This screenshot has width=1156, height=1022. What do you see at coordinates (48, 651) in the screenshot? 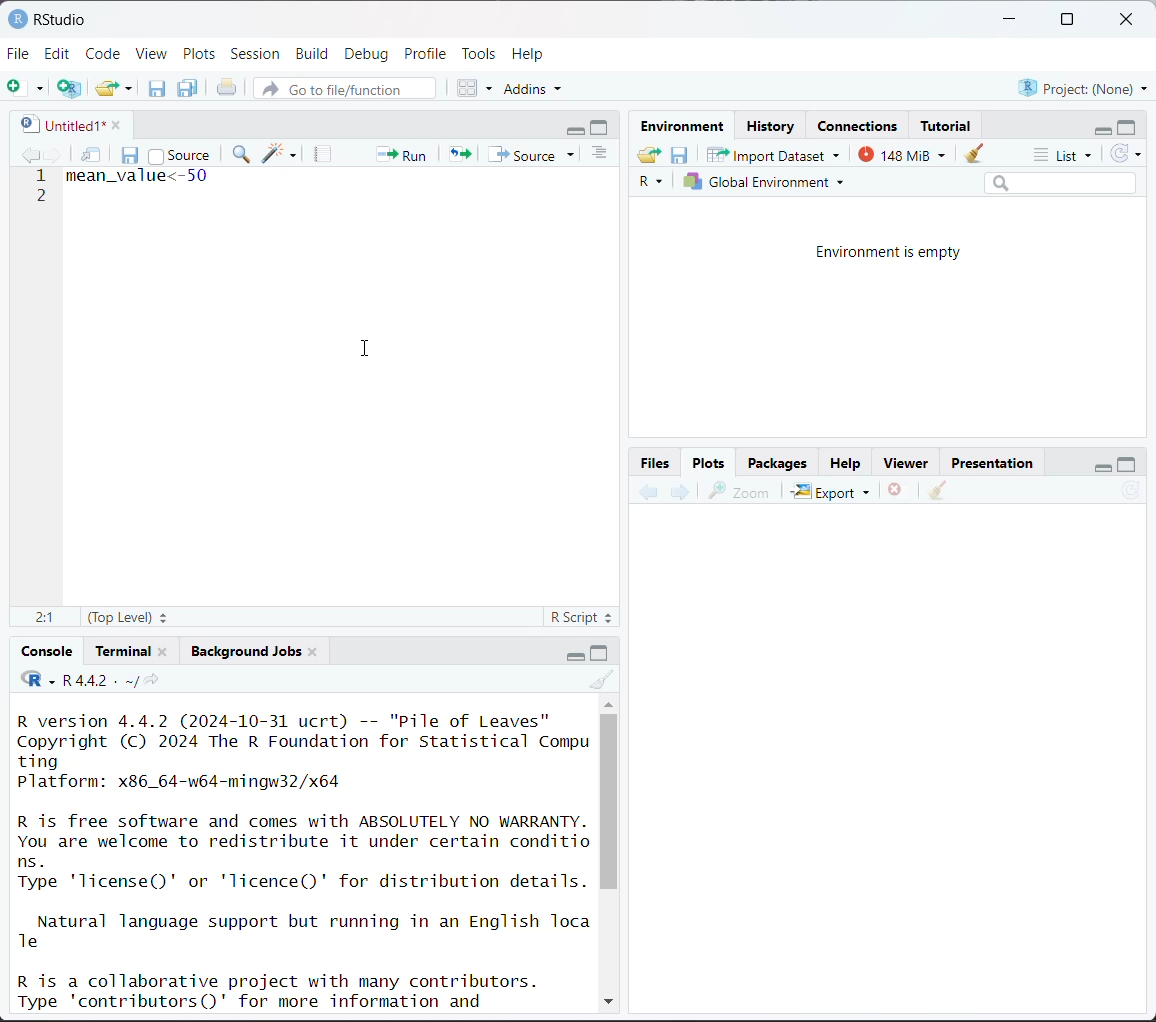
I see `Console` at bounding box center [48, 651].